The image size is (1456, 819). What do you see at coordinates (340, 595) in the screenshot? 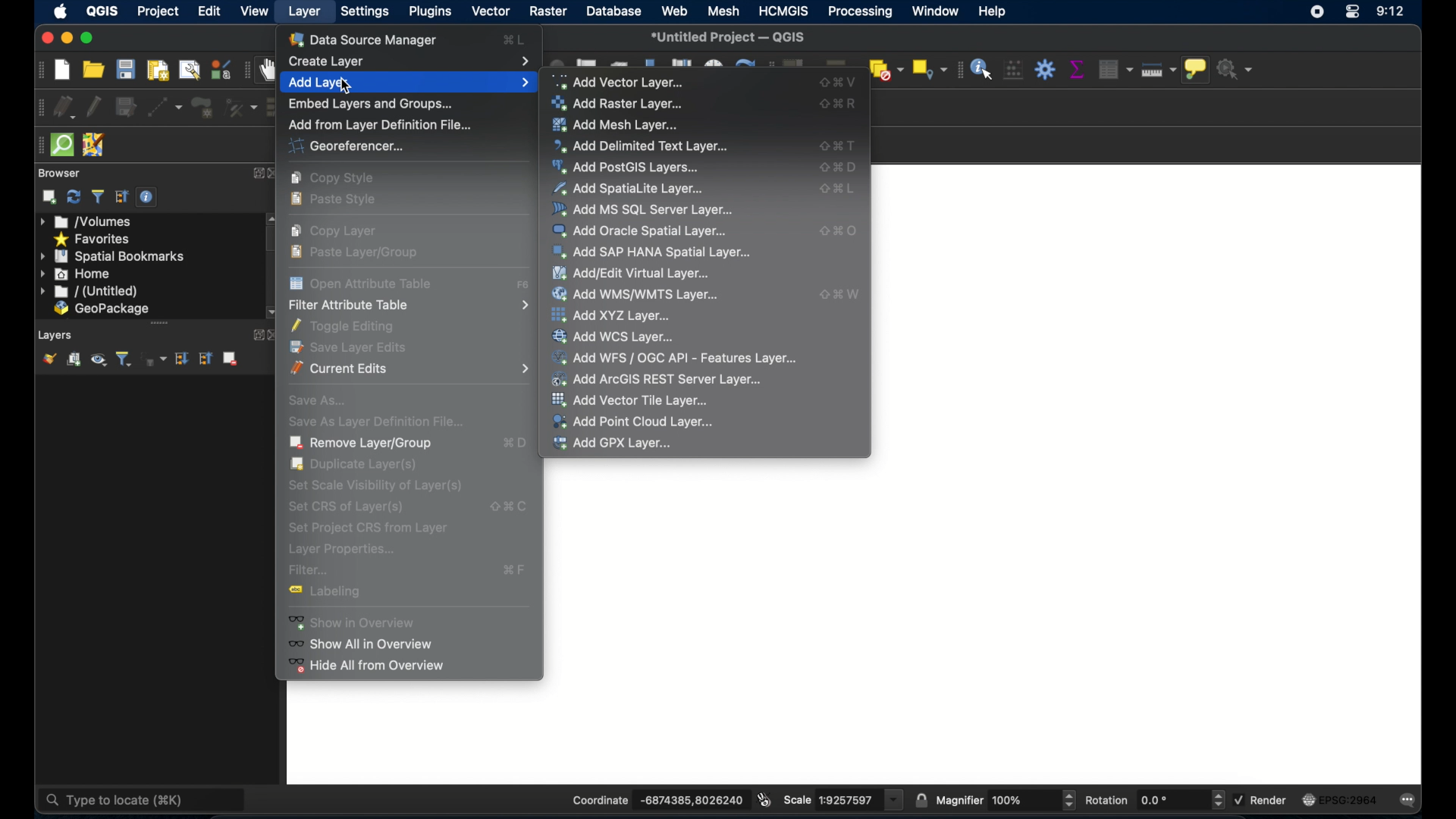
I see `Labelling` at bounding box center [340, 595].